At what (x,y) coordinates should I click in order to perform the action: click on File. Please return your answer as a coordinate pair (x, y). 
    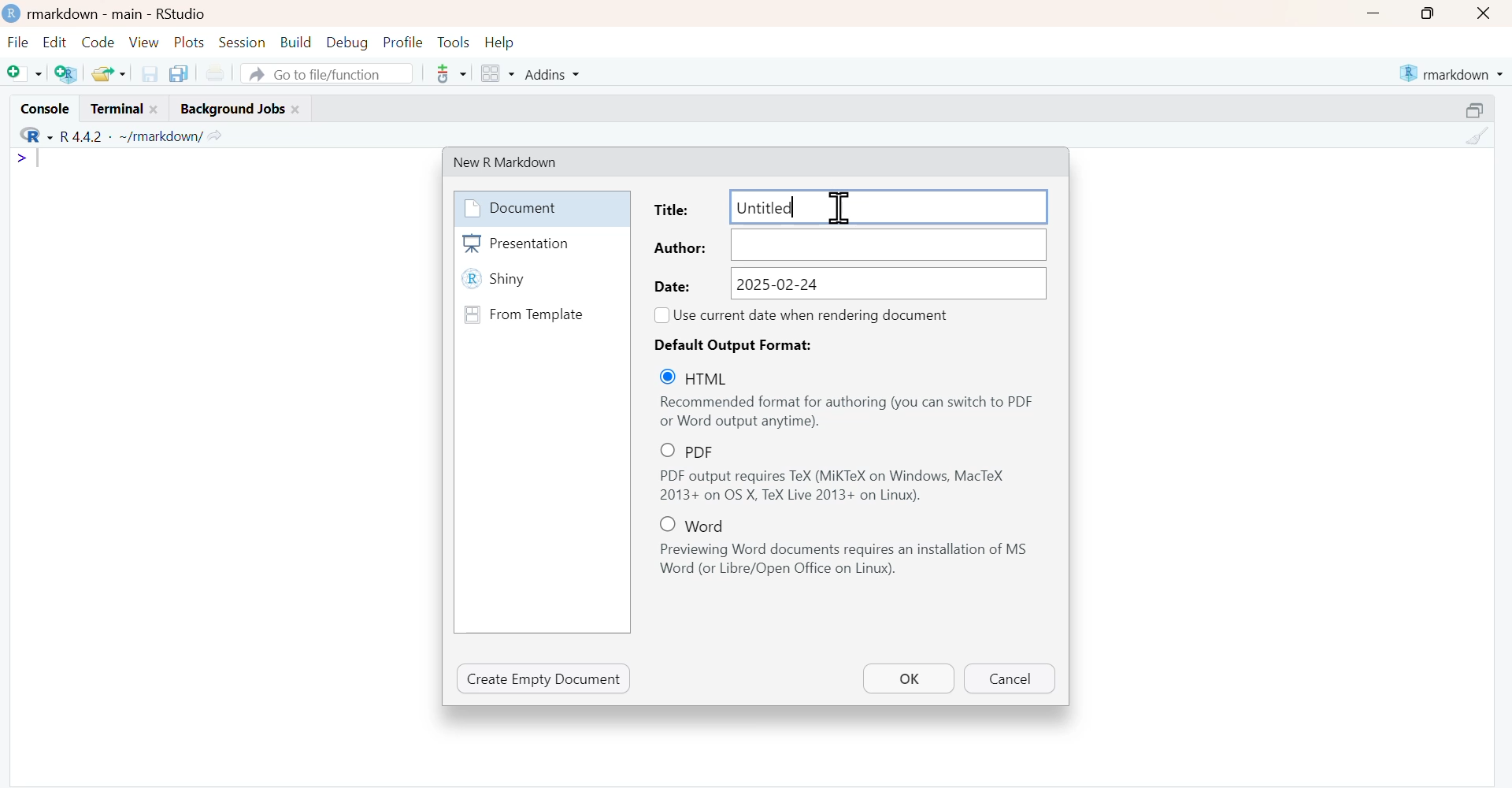
    Looking at the image, I should click on (19, 43).